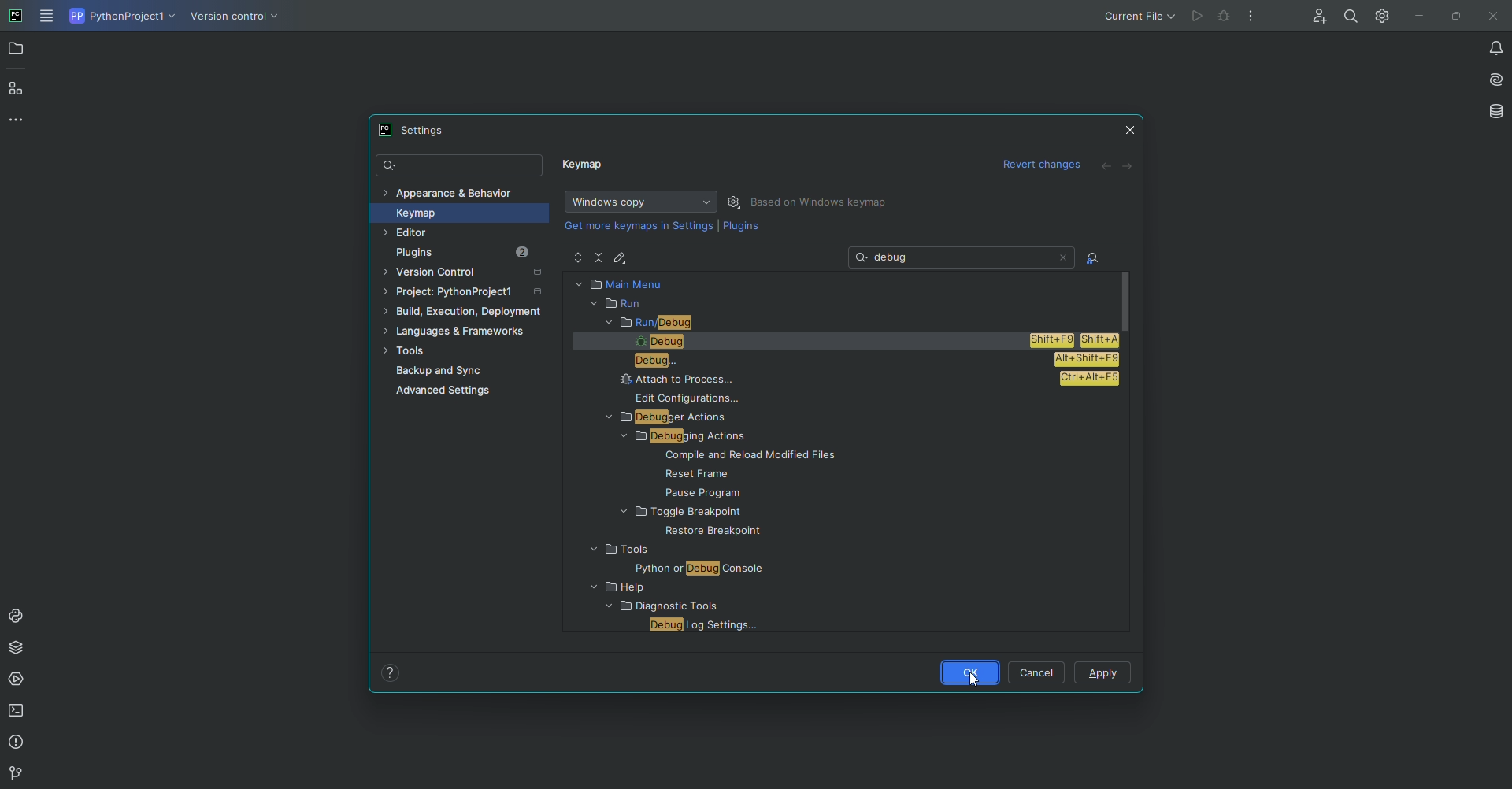 The image size is (1512, 789). Describe the element at coordinates (467, 314) in the screenshot. I see `Build, execution, development` at that location.